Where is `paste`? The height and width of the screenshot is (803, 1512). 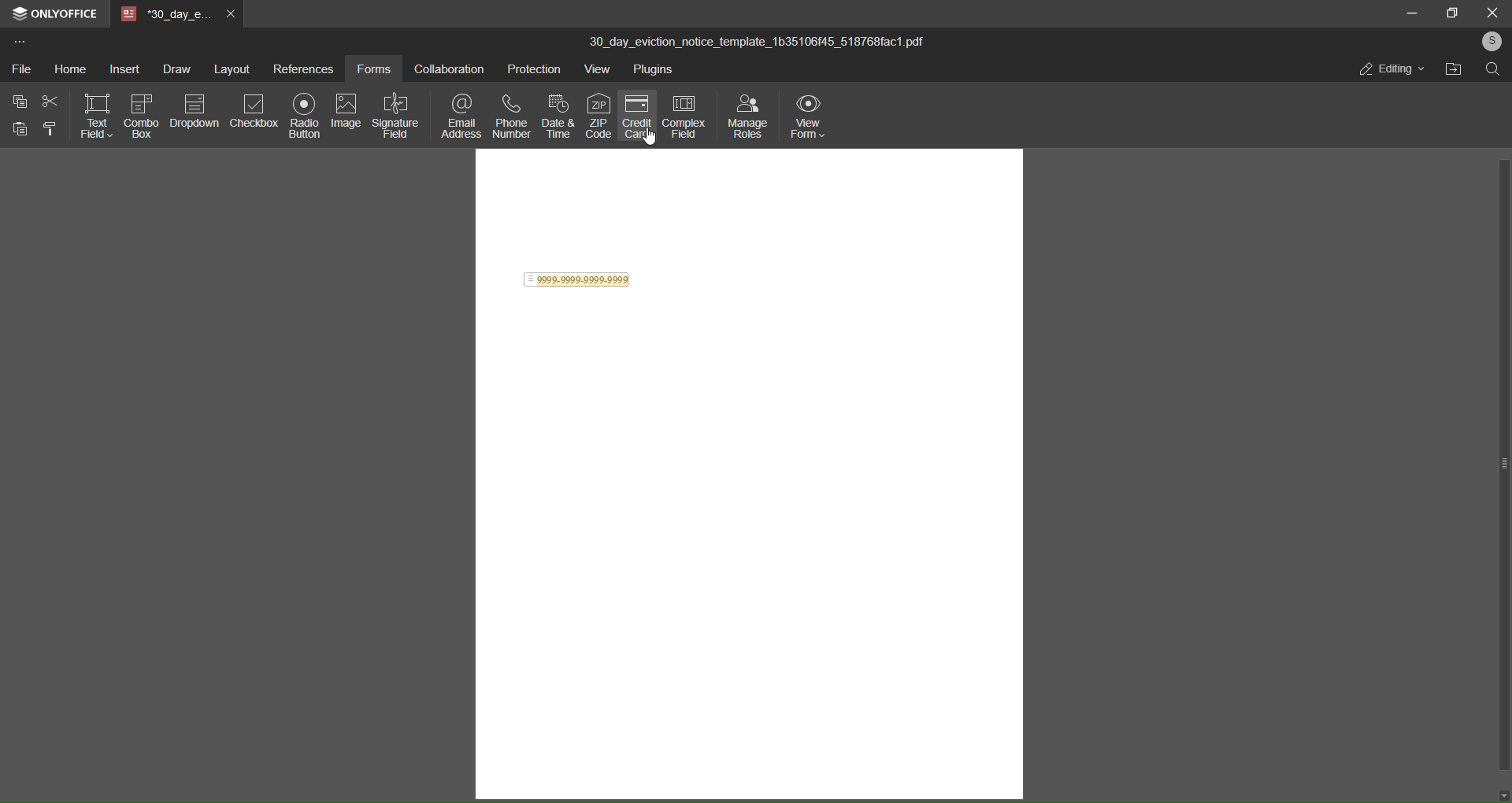 paste is located at coordinates (17, 129).